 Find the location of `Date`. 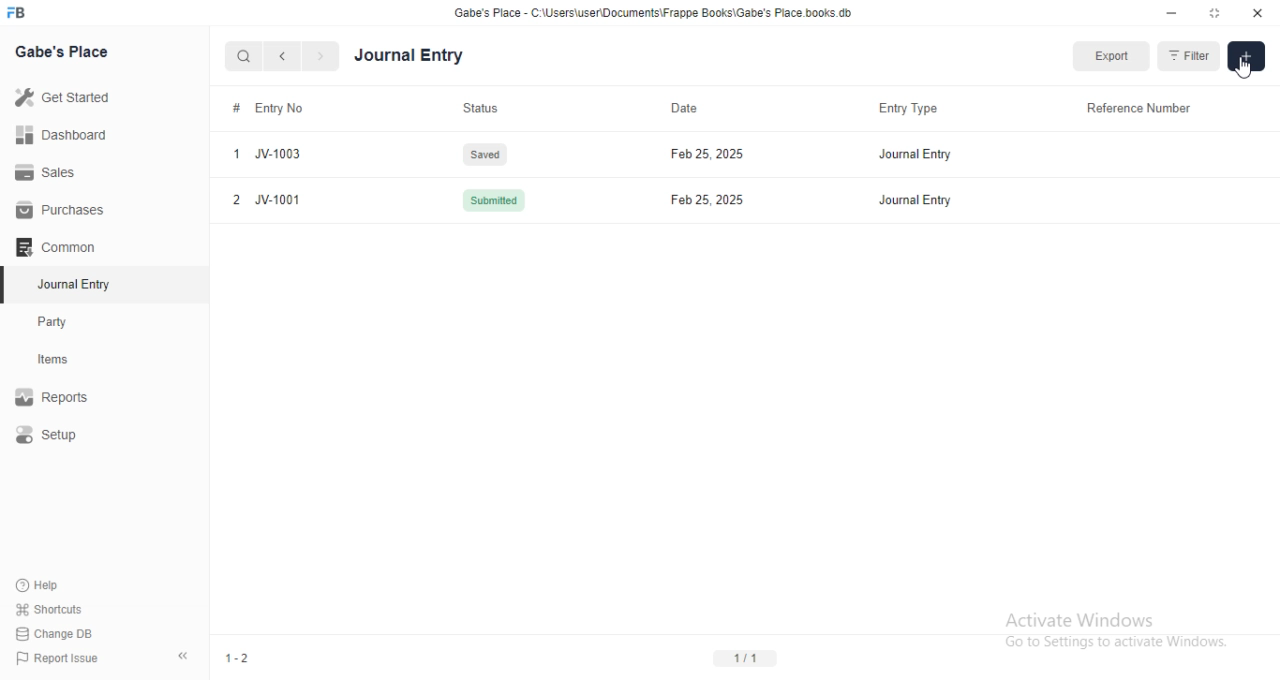

Date is located at coordinates (694, 107).